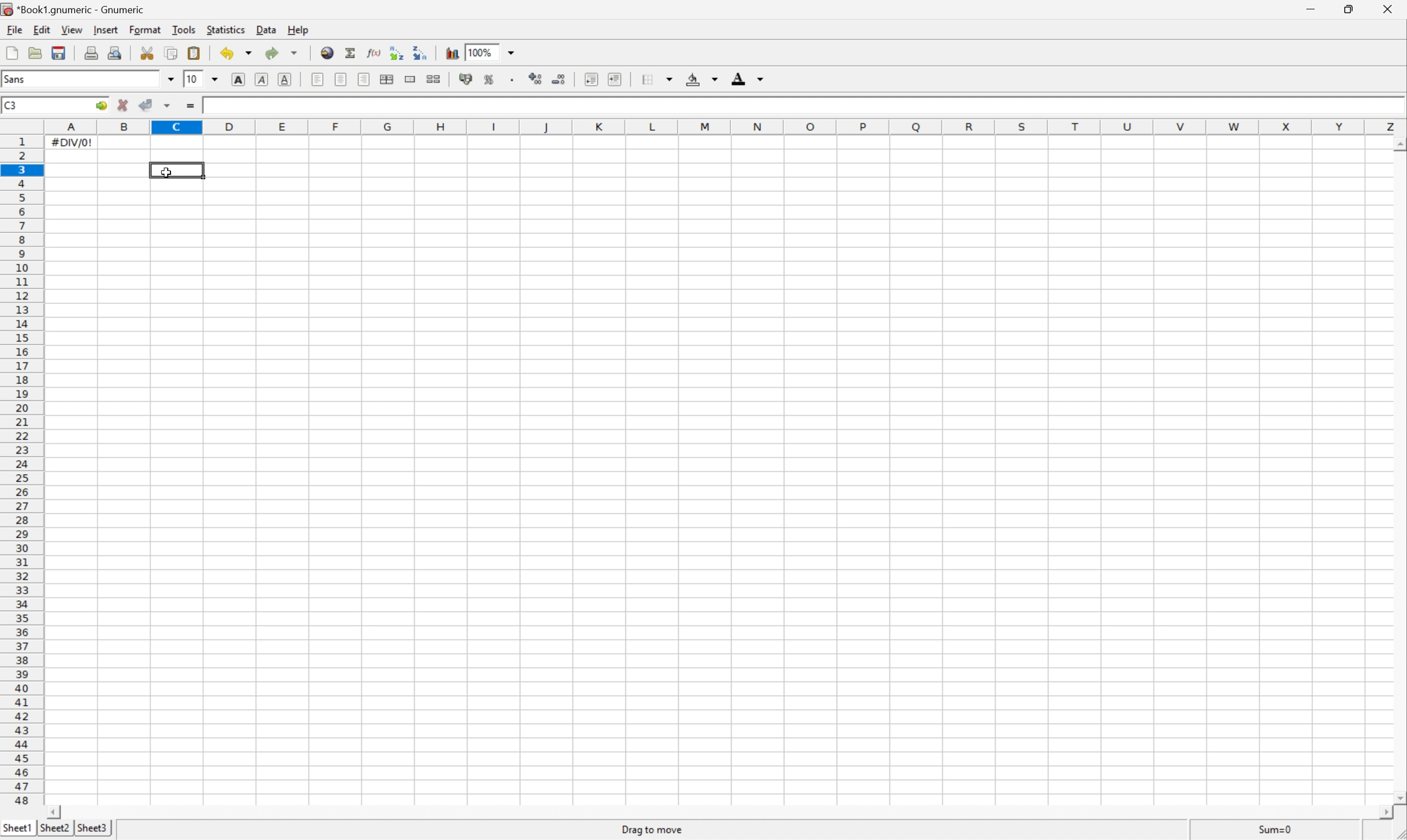 The height and width of the screenshot is (840, 1407). Describe the element at coordinates (73, 142) in the screenshot. I see `#DIV/0!` at that location.